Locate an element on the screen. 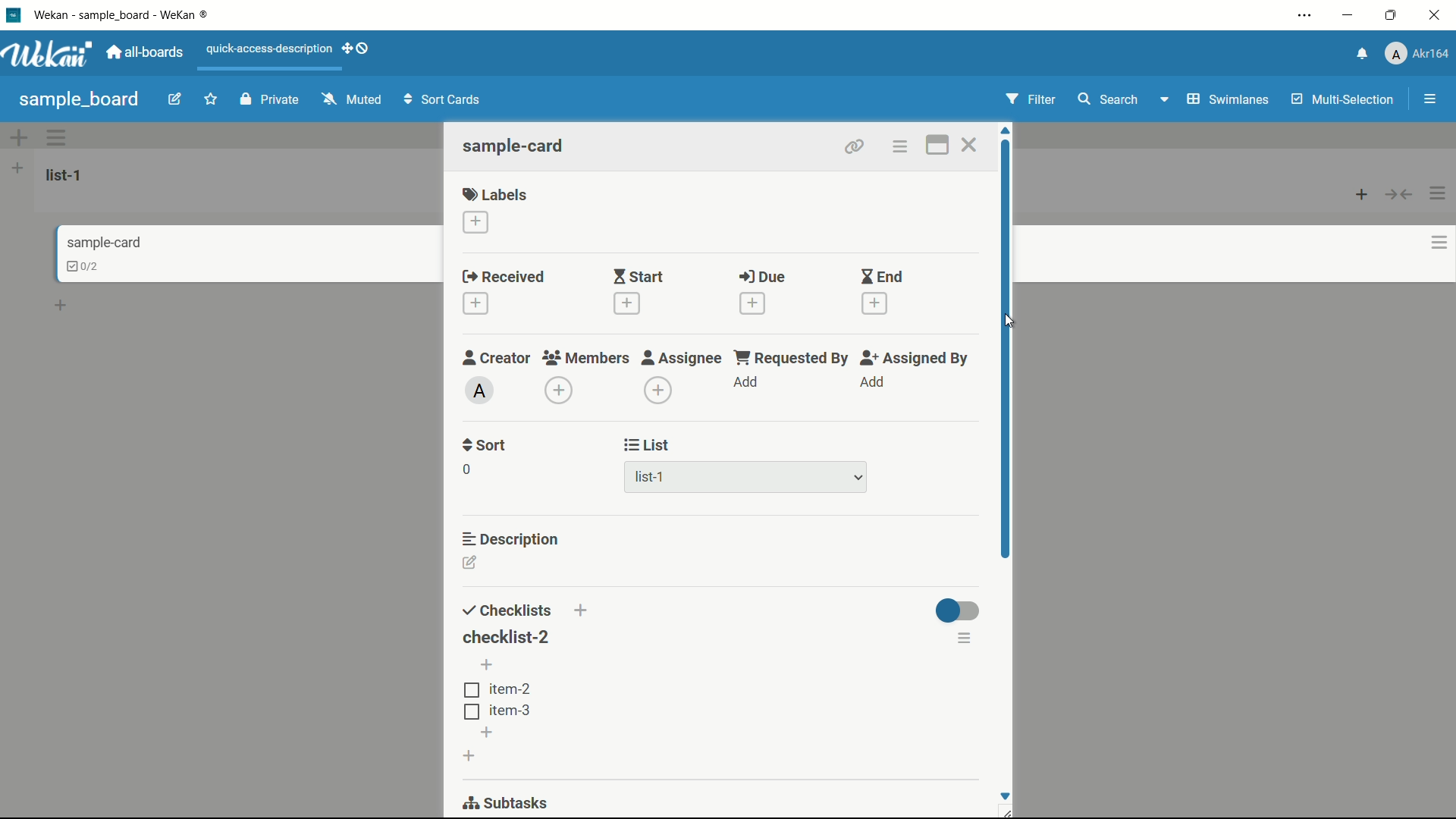  settings and more is located at coordinates (1304, 14).